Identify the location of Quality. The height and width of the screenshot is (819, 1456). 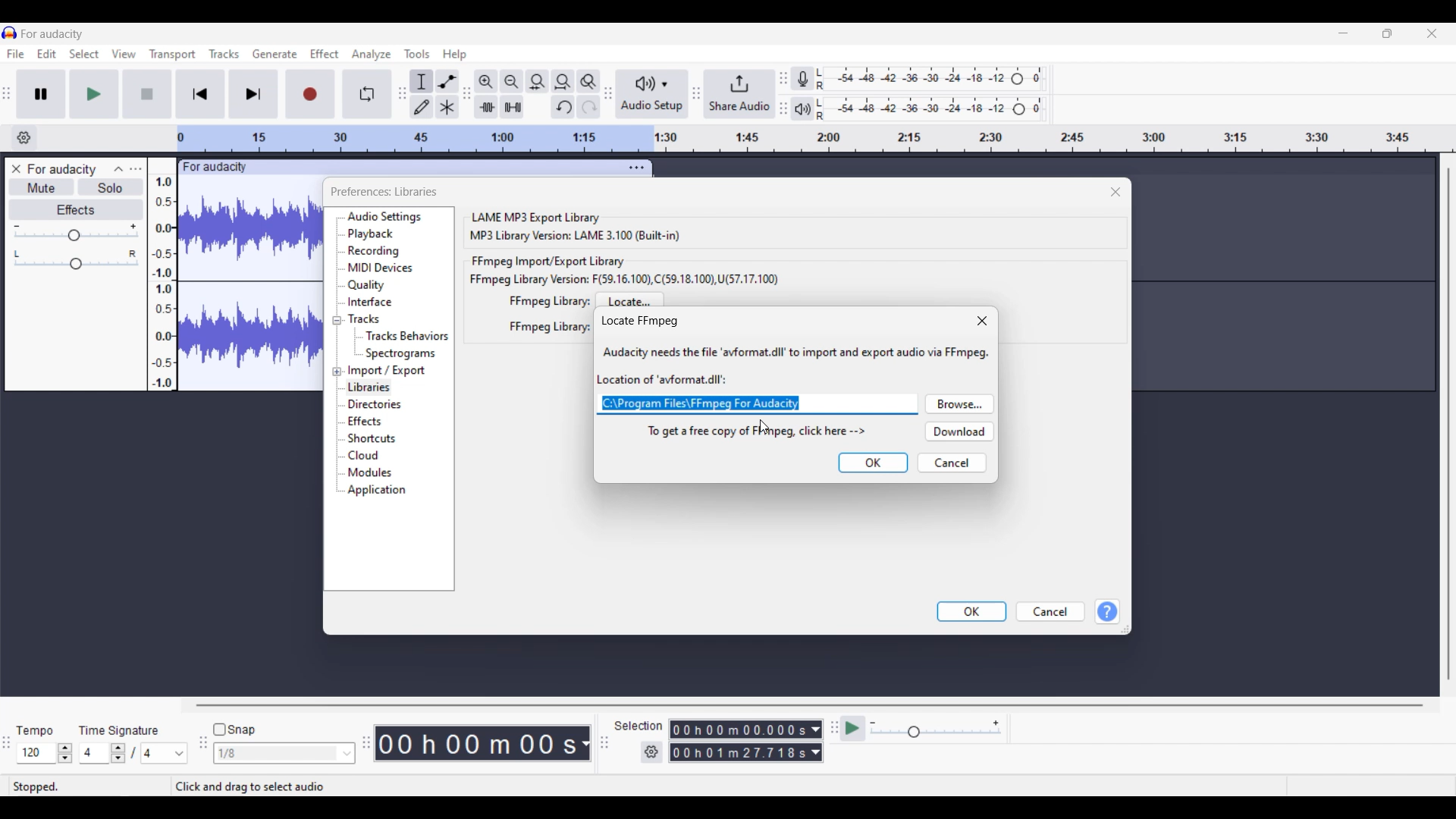
(369, 285).